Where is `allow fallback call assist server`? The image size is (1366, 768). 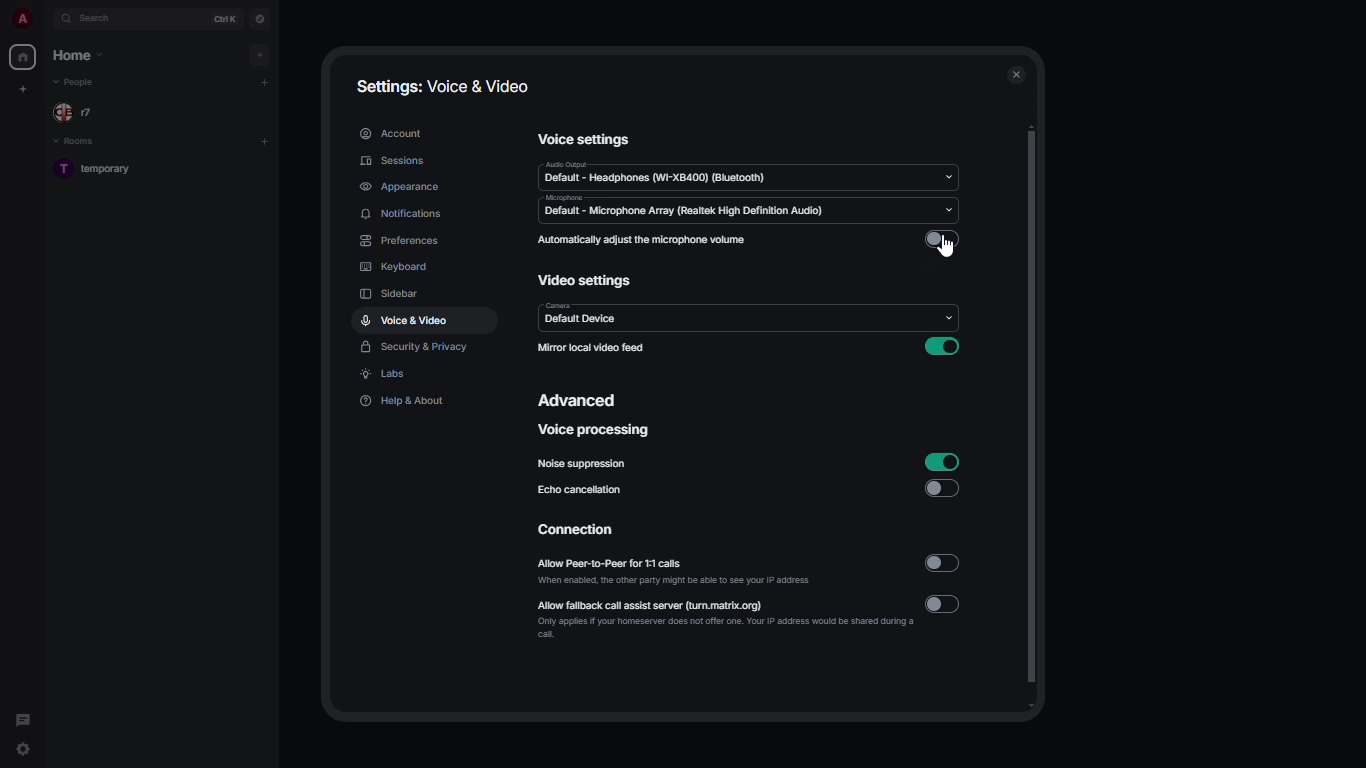
allow fallback call assist server is located at coordinates (726, 617).